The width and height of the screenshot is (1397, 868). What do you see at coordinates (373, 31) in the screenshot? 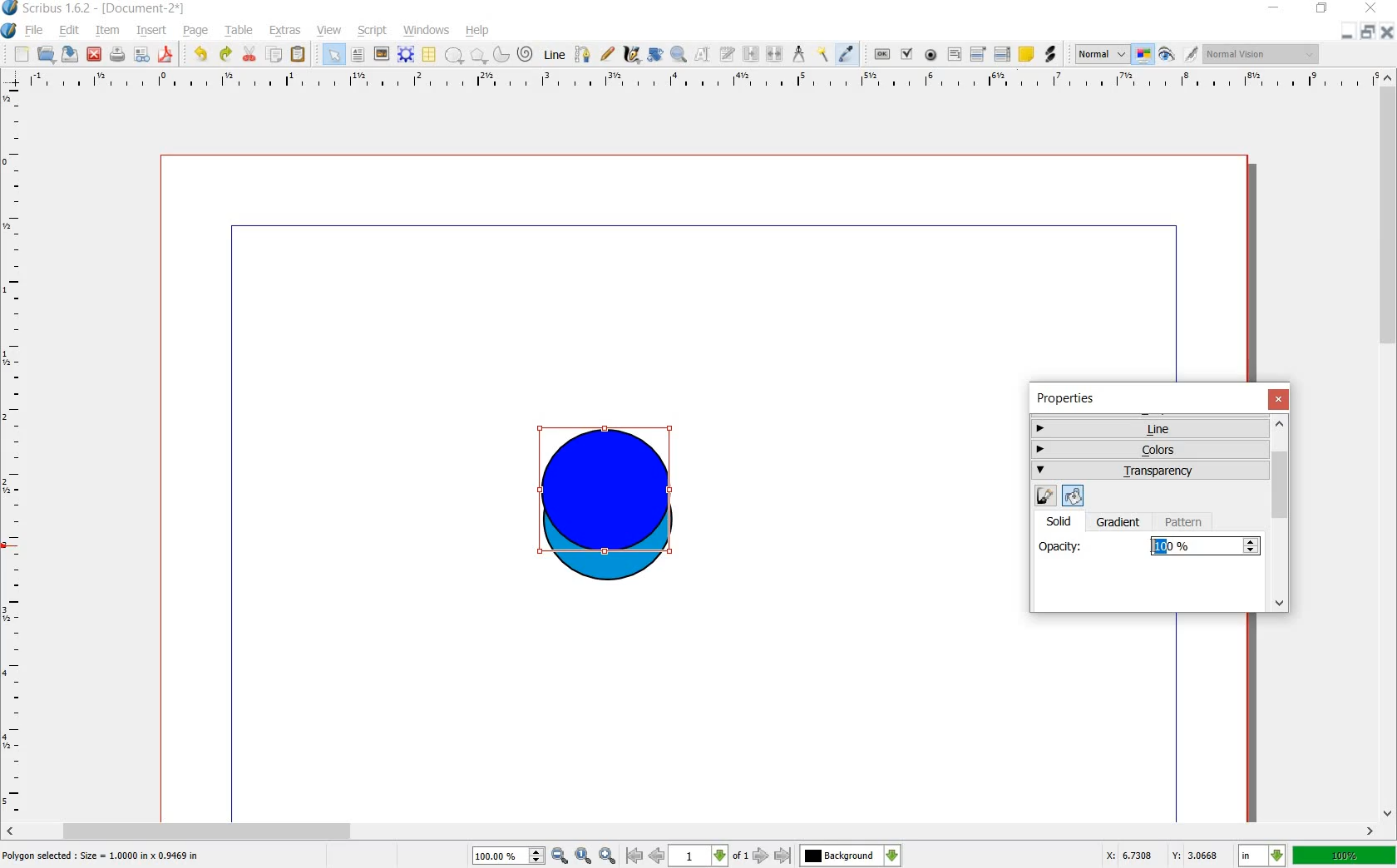
I see `script` at bounding box center [373, 31].